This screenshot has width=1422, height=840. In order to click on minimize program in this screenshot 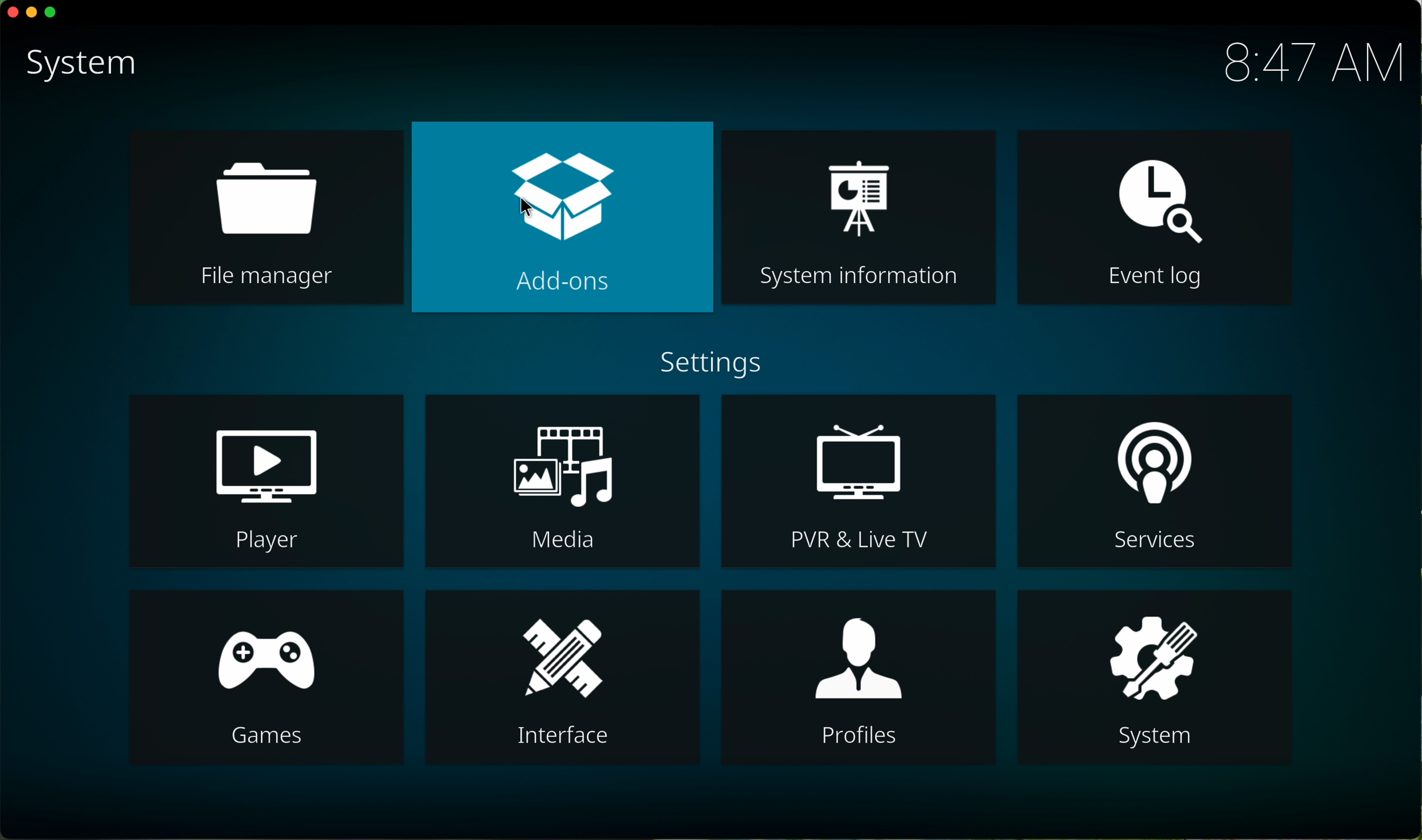, I will do `click(33, 13)`.